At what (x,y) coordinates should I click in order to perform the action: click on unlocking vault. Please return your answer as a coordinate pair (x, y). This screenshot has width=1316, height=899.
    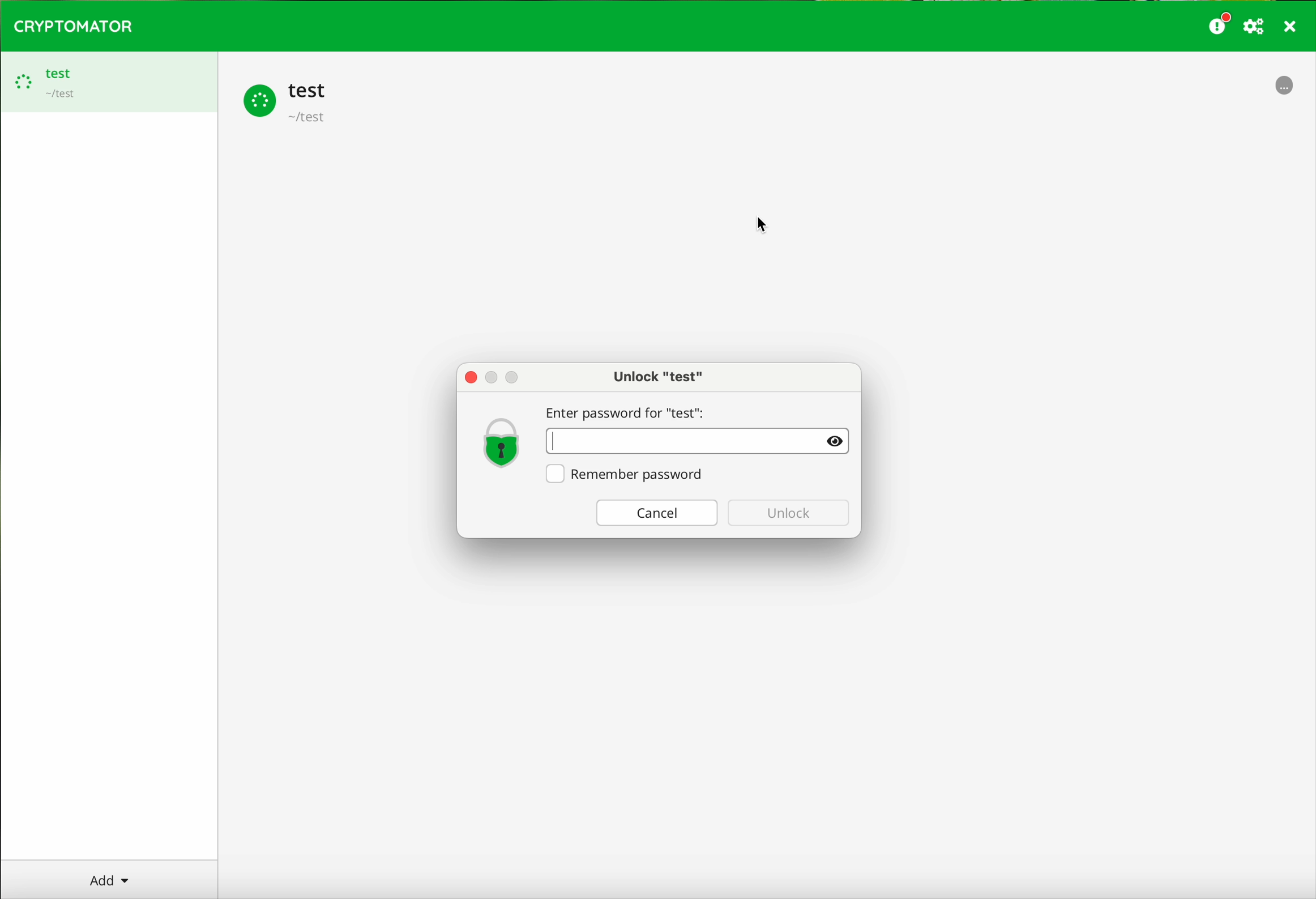
    Looking at the image, I should click on (289, 101).